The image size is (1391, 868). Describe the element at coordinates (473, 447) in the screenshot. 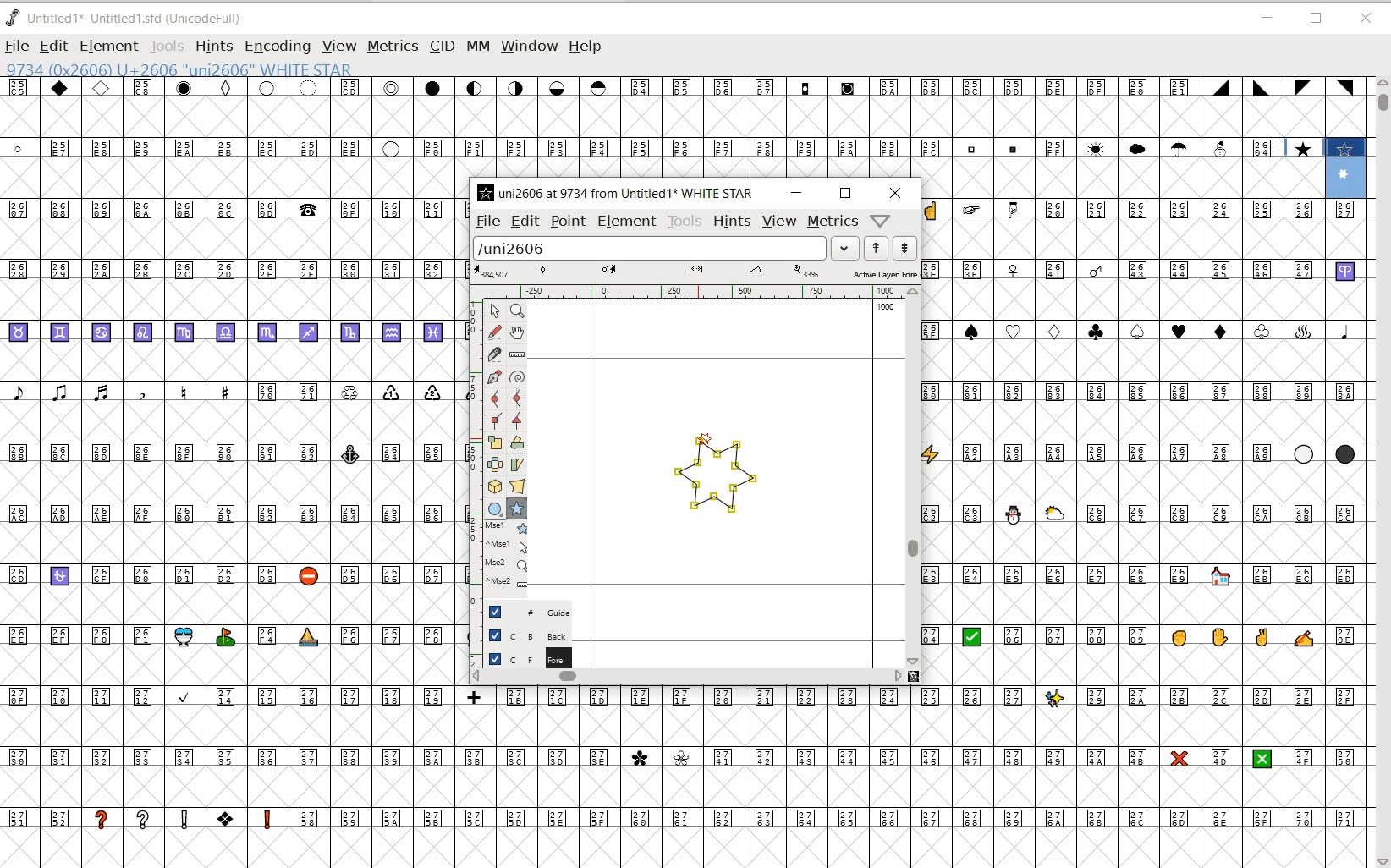

I see `SCALE` at that location.